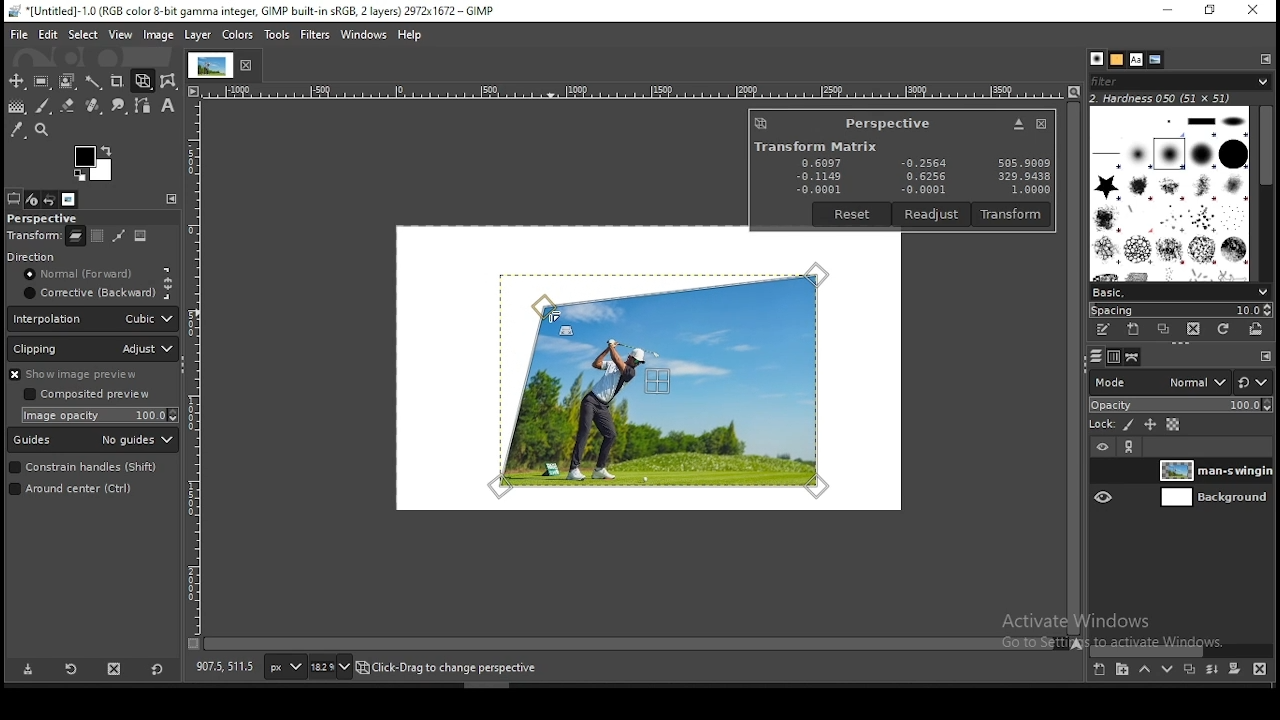 This screenshot has width=1280, height=720. Describe the element at coordinates (1265, 194) in the screenshot. I see `scroll bar` at that location.